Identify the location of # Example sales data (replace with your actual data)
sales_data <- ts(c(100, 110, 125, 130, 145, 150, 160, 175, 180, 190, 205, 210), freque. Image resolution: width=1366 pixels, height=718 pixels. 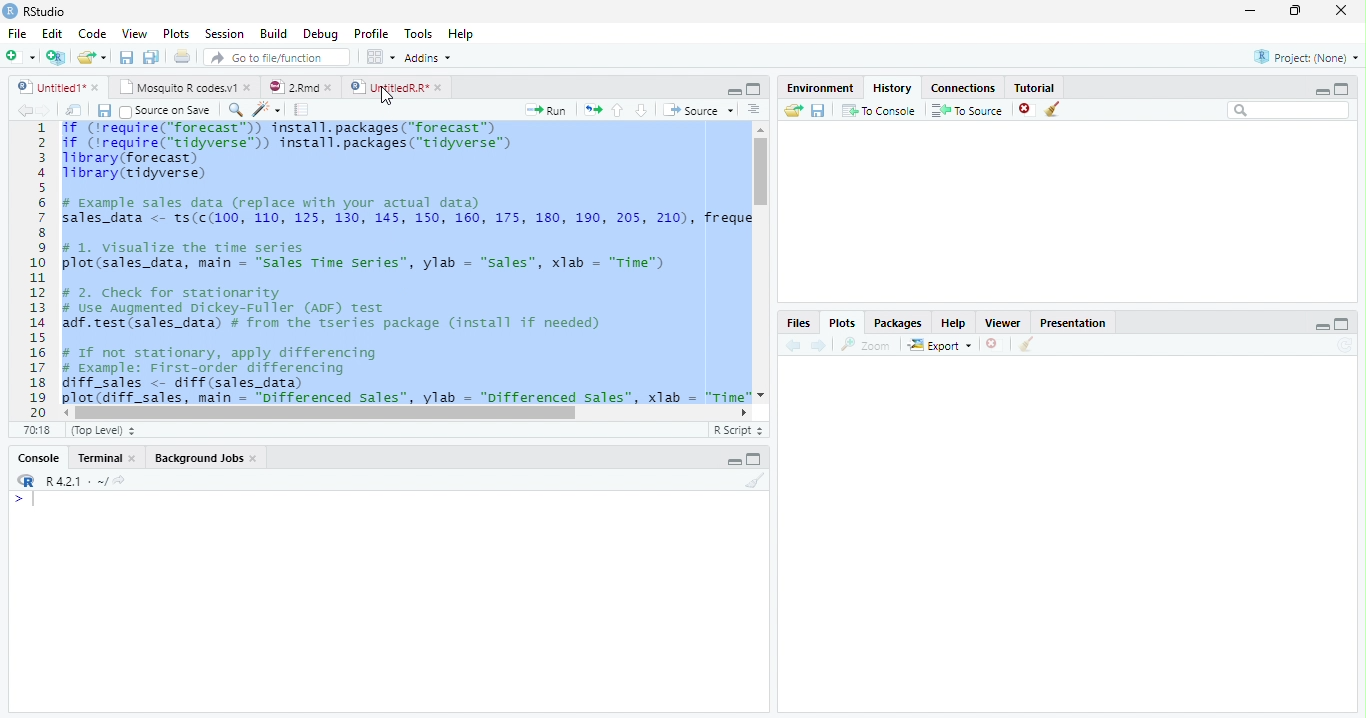
(408, 213).